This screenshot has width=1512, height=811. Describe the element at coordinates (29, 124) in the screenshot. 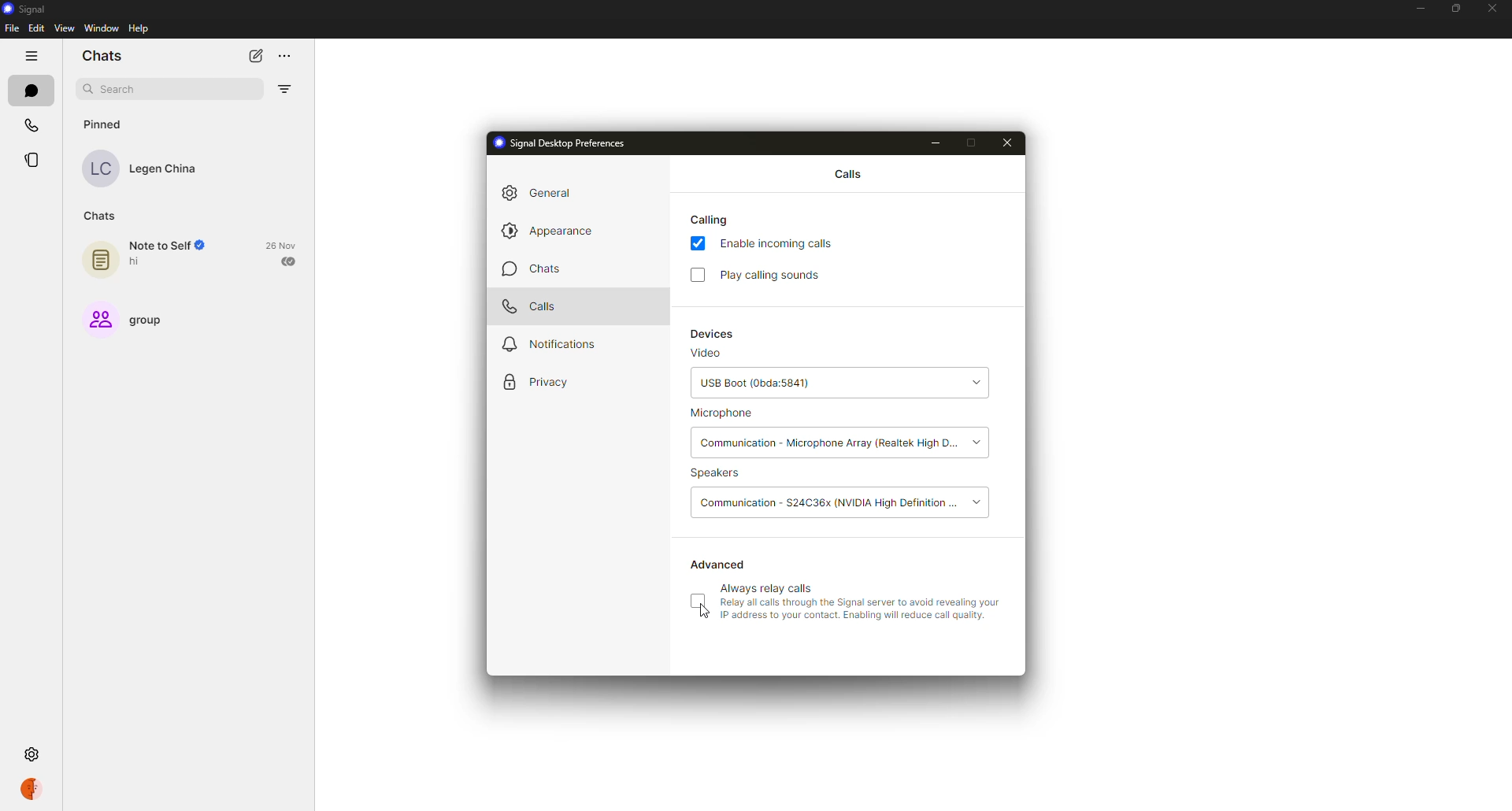

I see `calls` at that location.